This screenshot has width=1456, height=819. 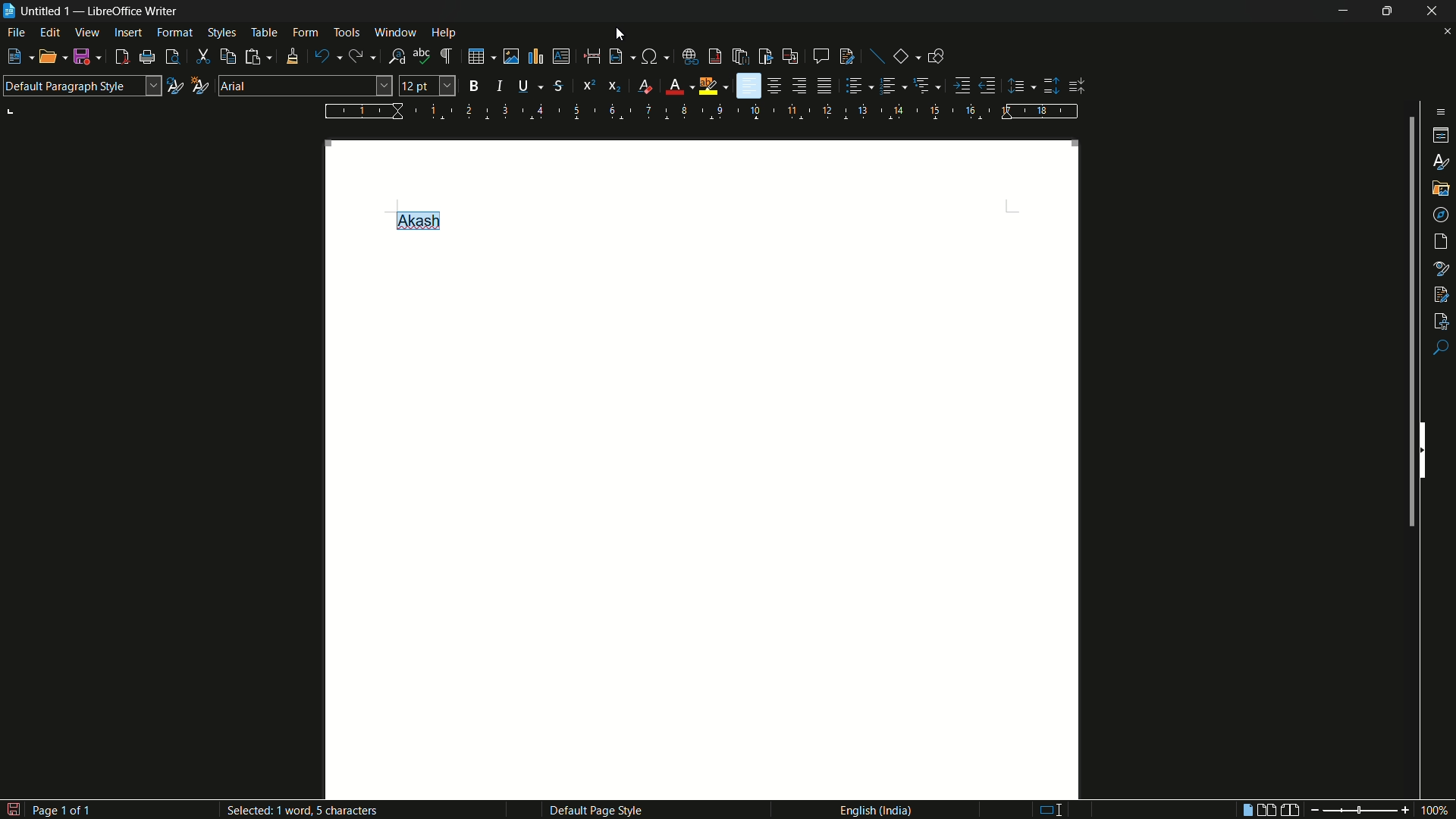 I want to click on insert bookmark, so click(x=766, y=56).